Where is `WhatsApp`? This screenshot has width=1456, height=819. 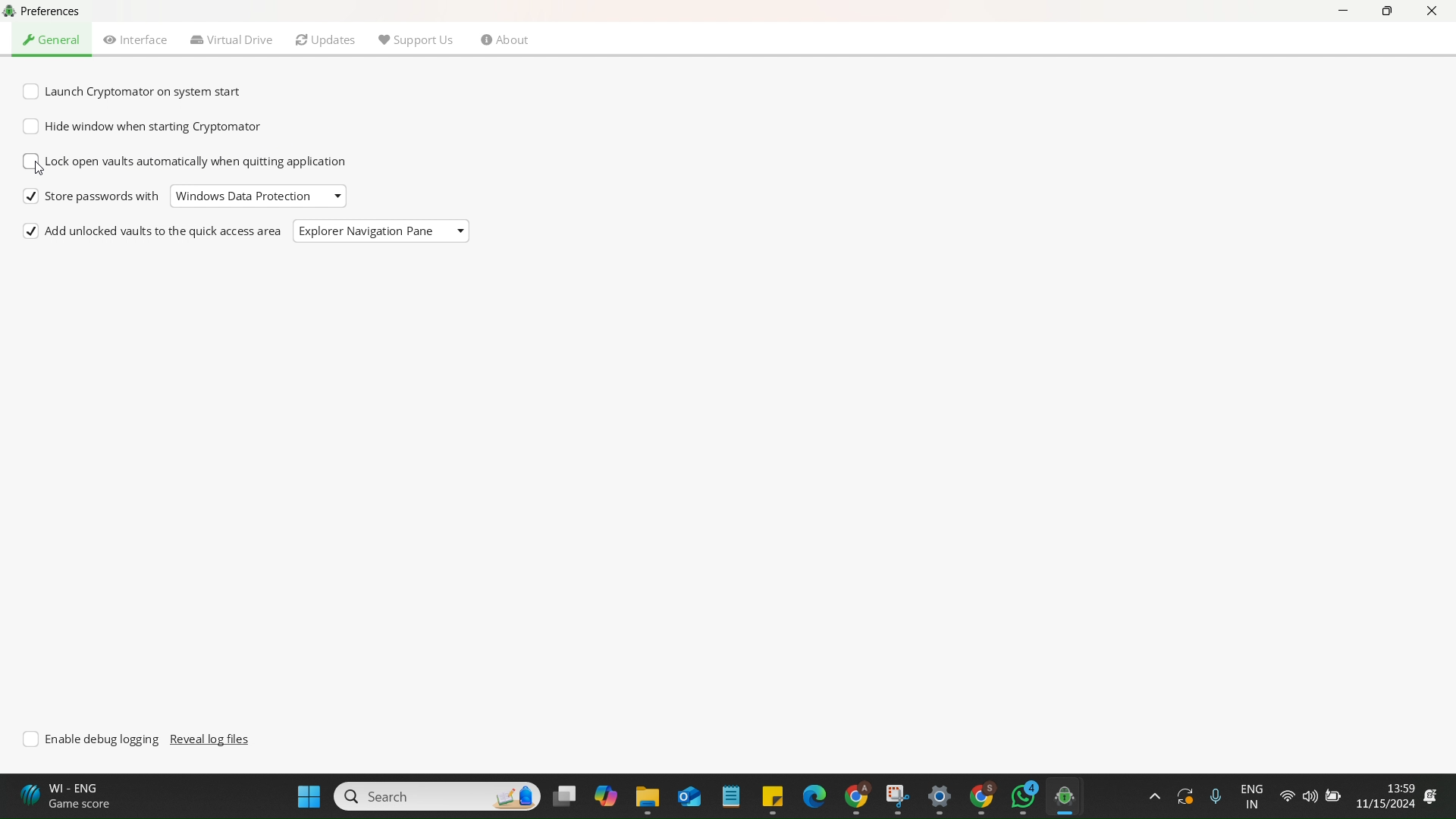 WhatsApp is located at coordinates (1024, 796).